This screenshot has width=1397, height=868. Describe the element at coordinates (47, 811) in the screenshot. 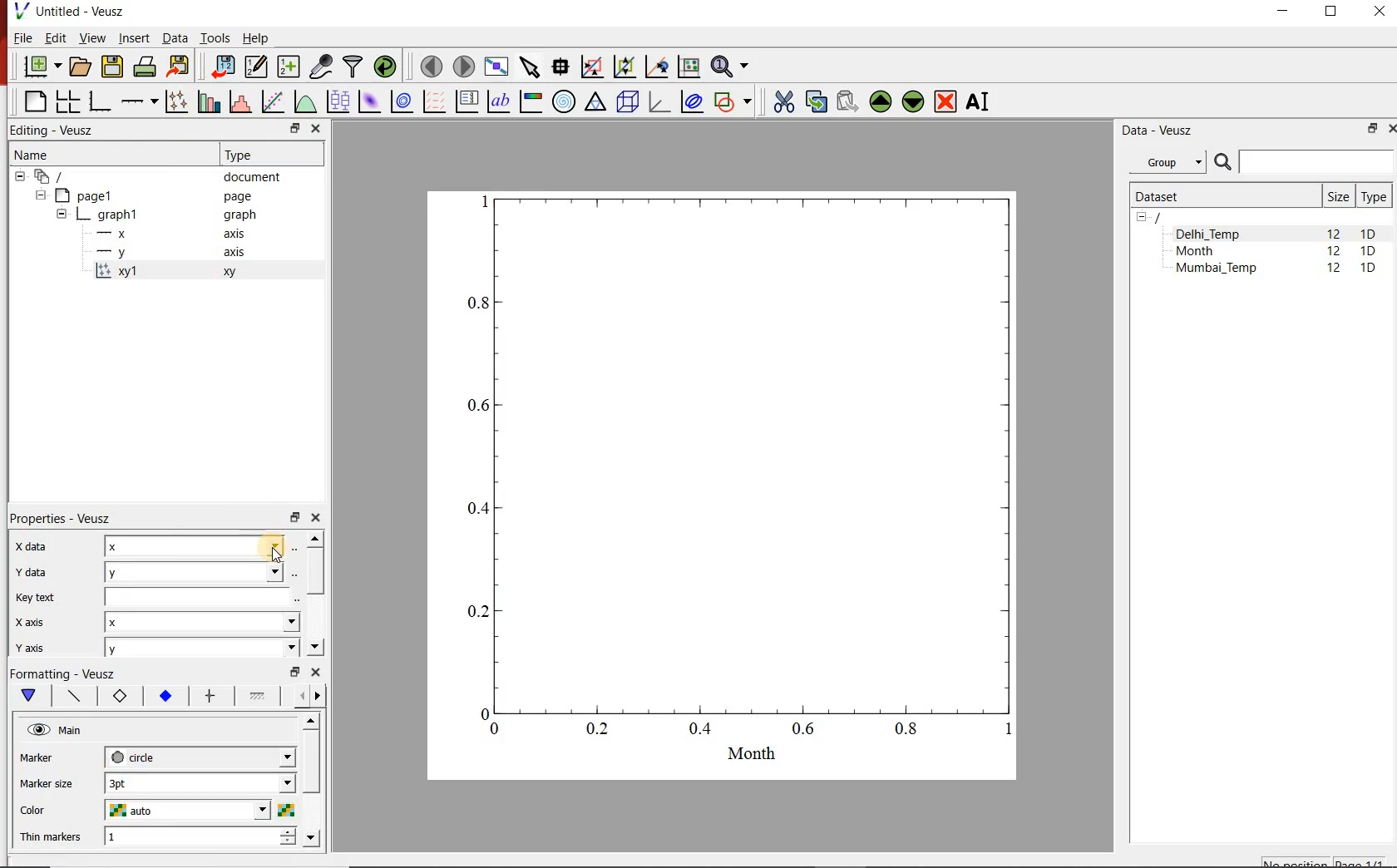

I see `color` at that location.